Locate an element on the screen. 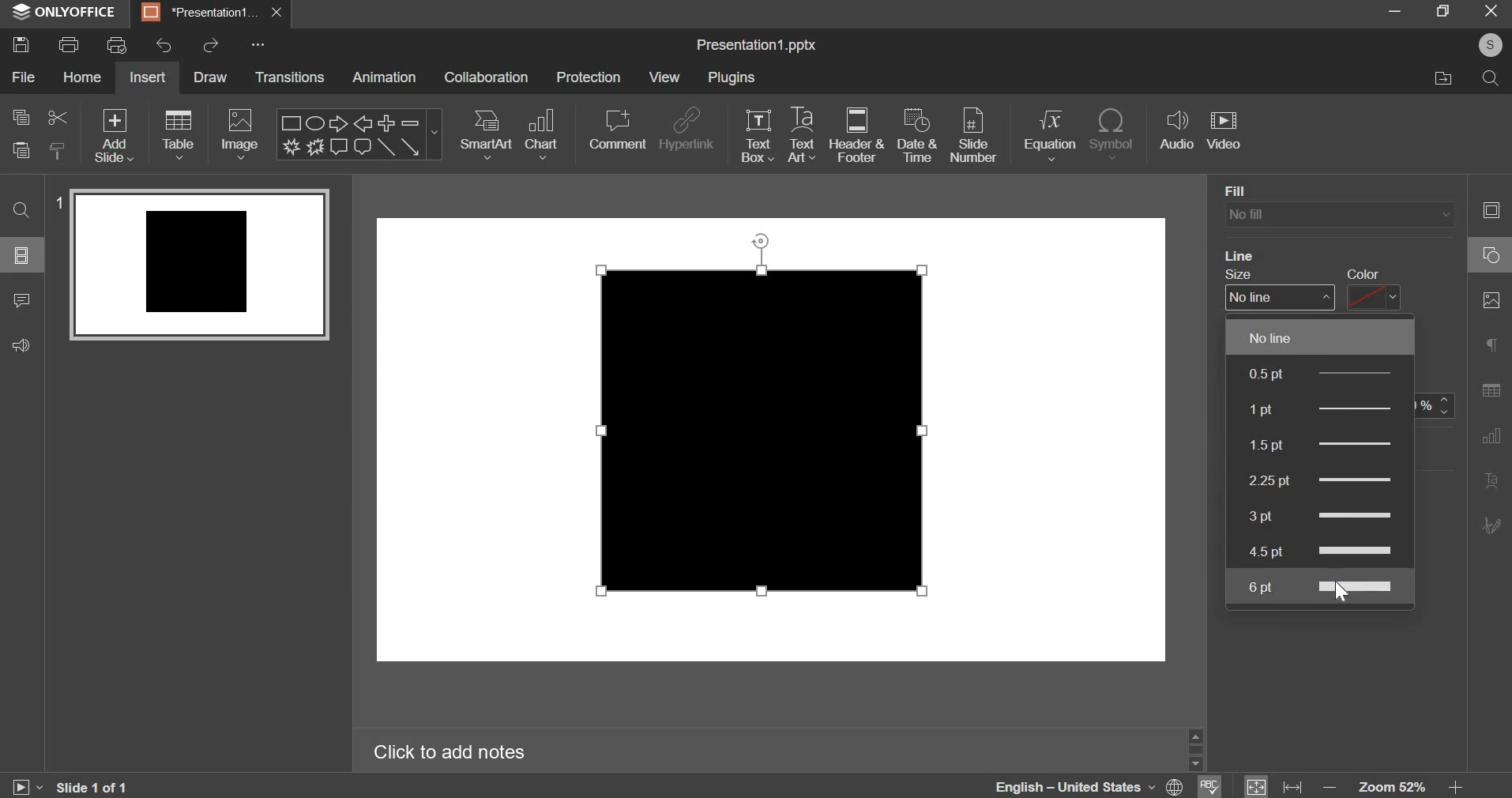  Click to add notes is located at coordinates (452, 752).